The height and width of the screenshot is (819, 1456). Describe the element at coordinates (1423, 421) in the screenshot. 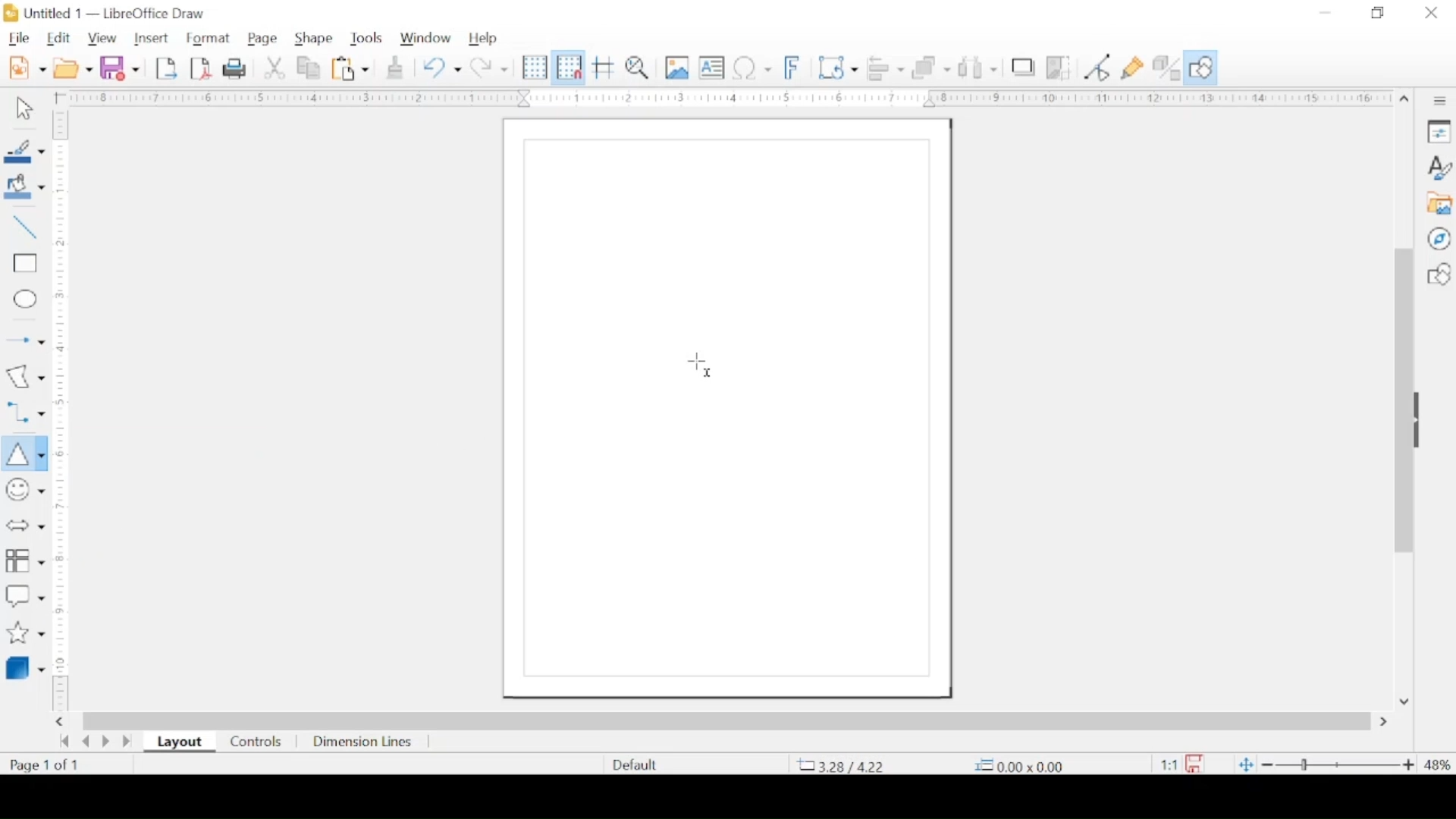

I see `drag handle` at that location.